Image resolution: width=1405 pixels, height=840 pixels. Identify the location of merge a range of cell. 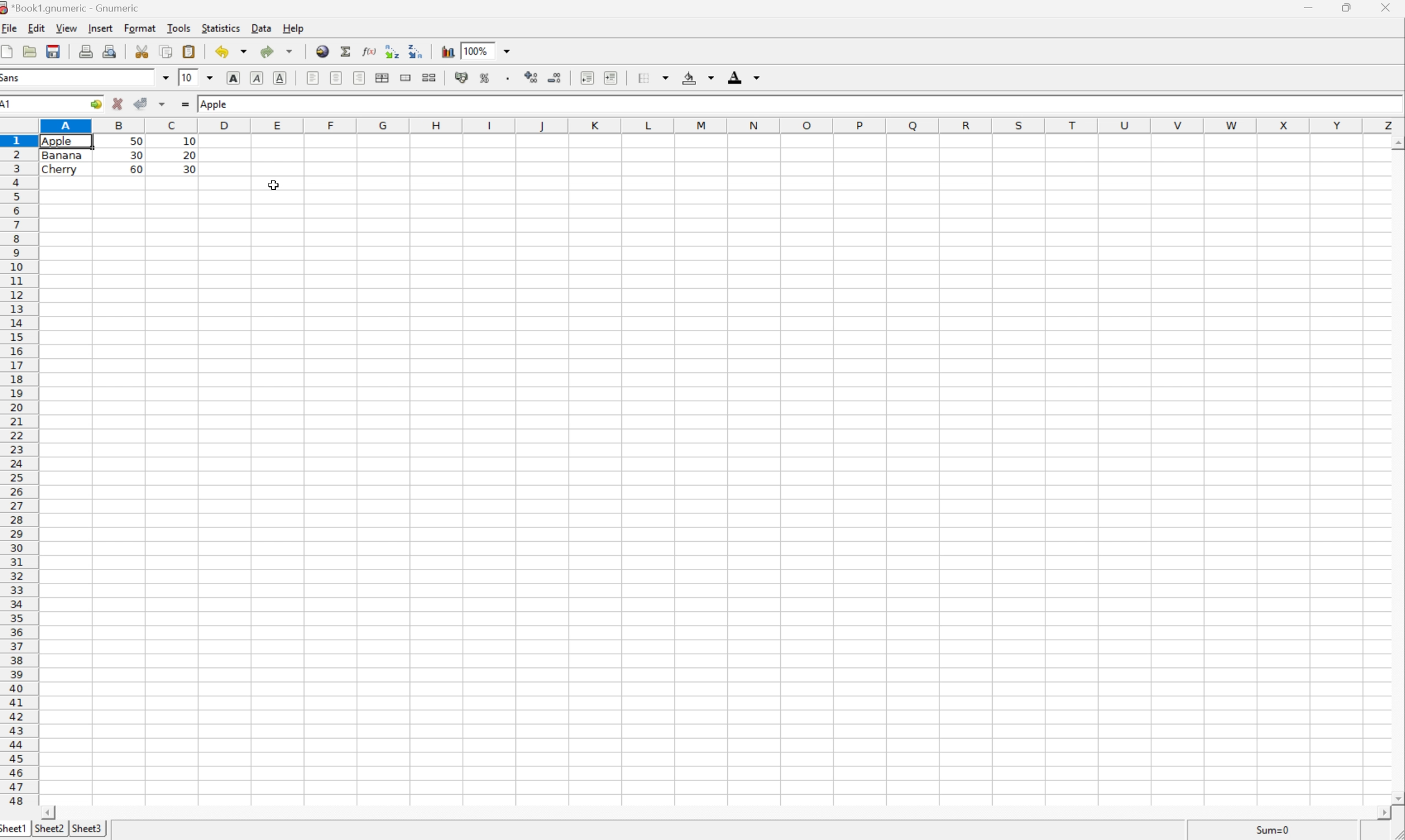
(406, 76).